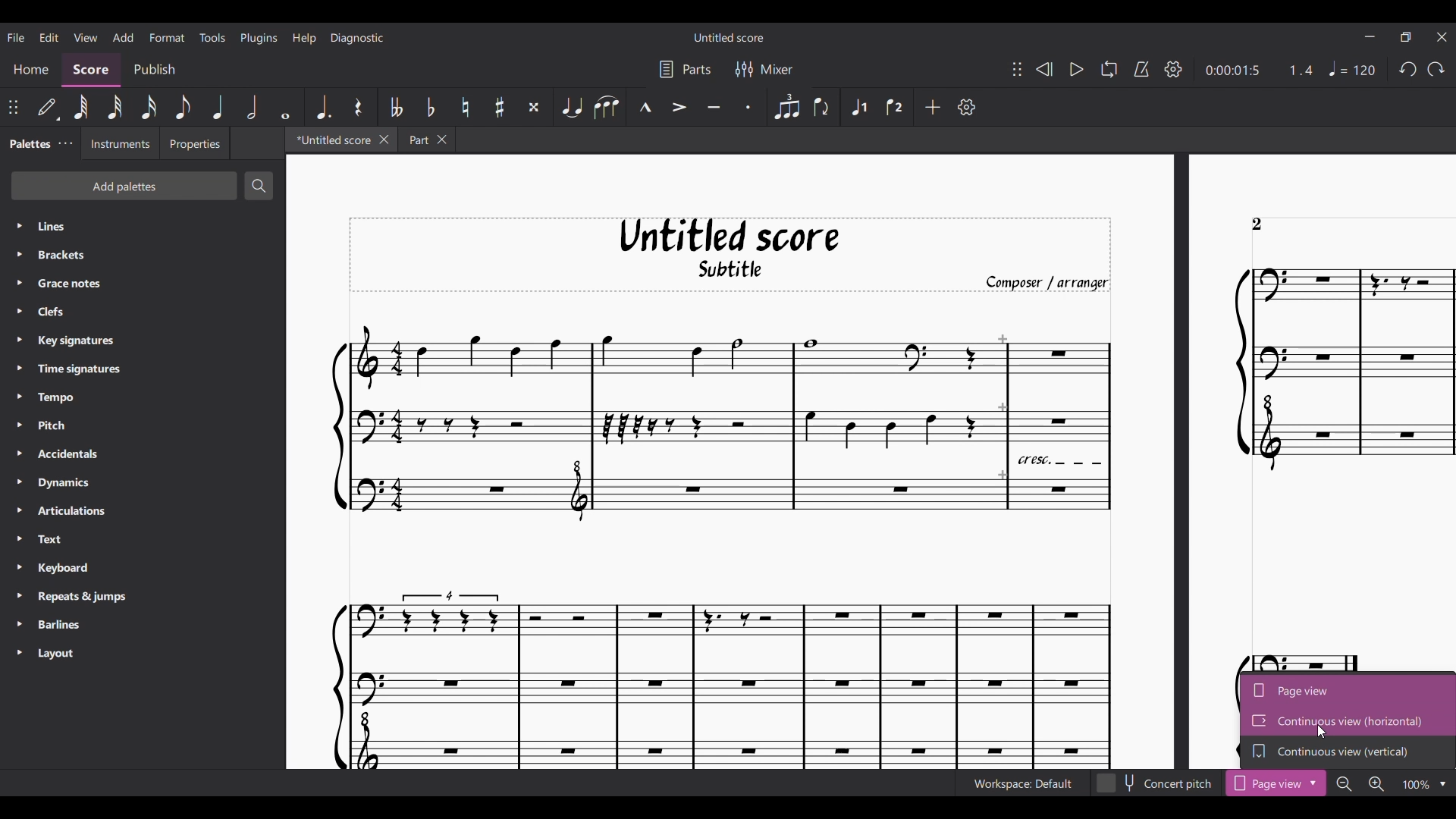 The width and height of the screenshot is (1456, 819). Describe the element at coordinates (466, 107) in the screenshot. I see `Toggle natural` at that location.